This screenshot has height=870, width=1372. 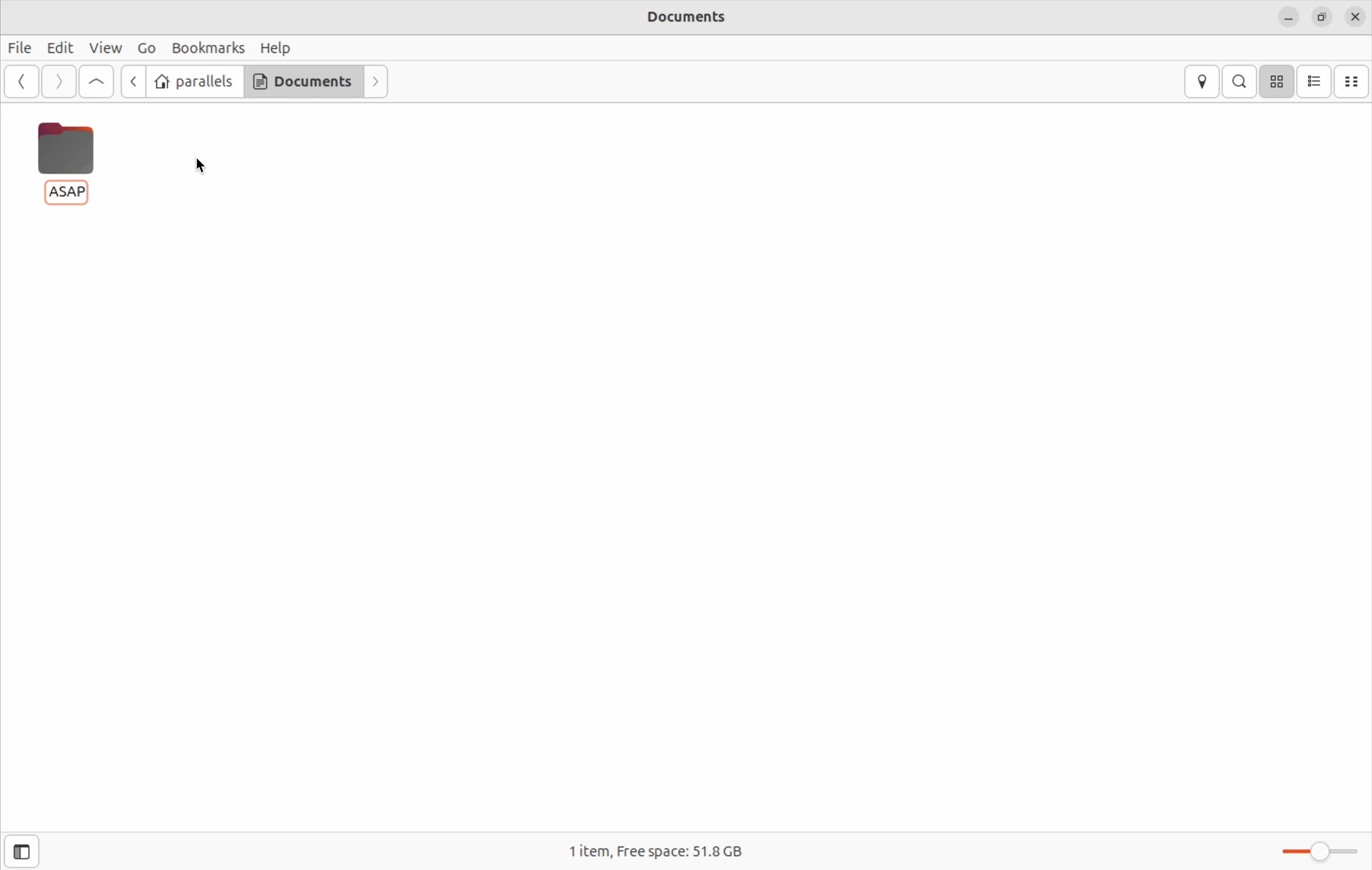 What do you see at coordinates (196, 82) in the screenshot?
I see `parallels` at bounding box center [196, 82].